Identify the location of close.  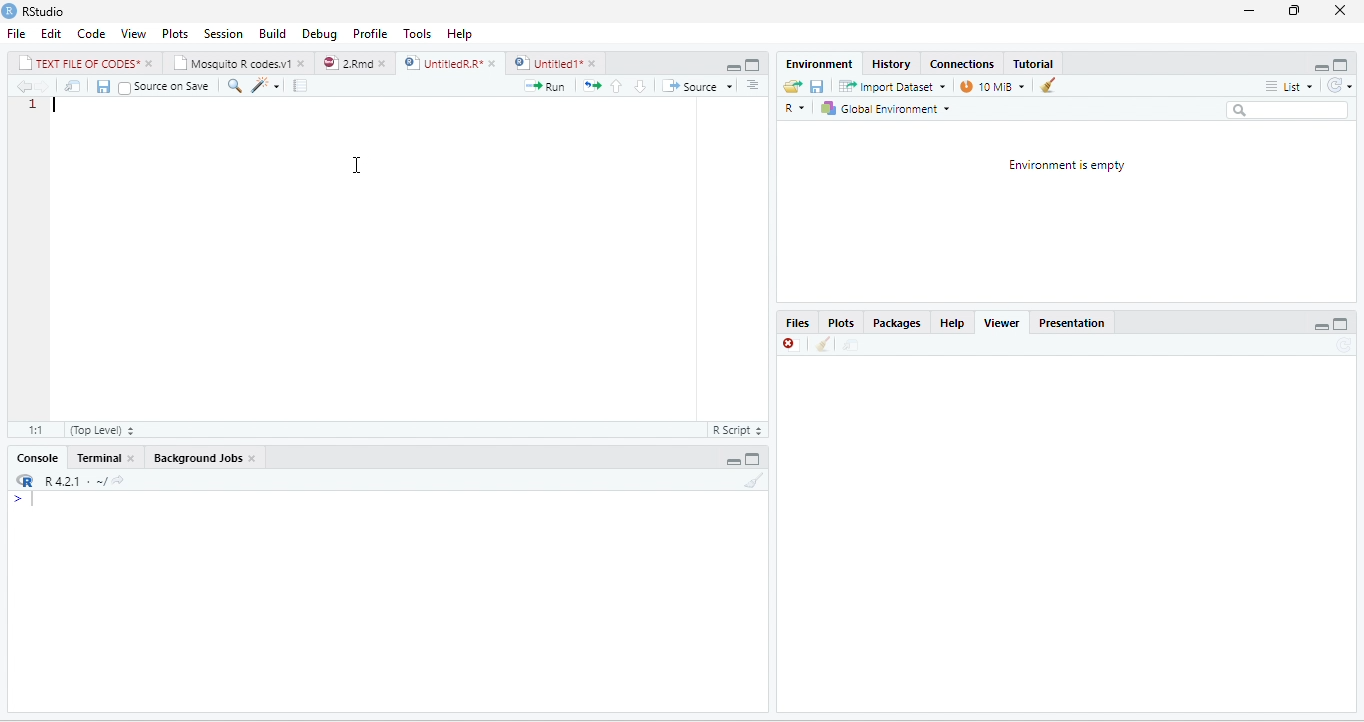
(492, 62).